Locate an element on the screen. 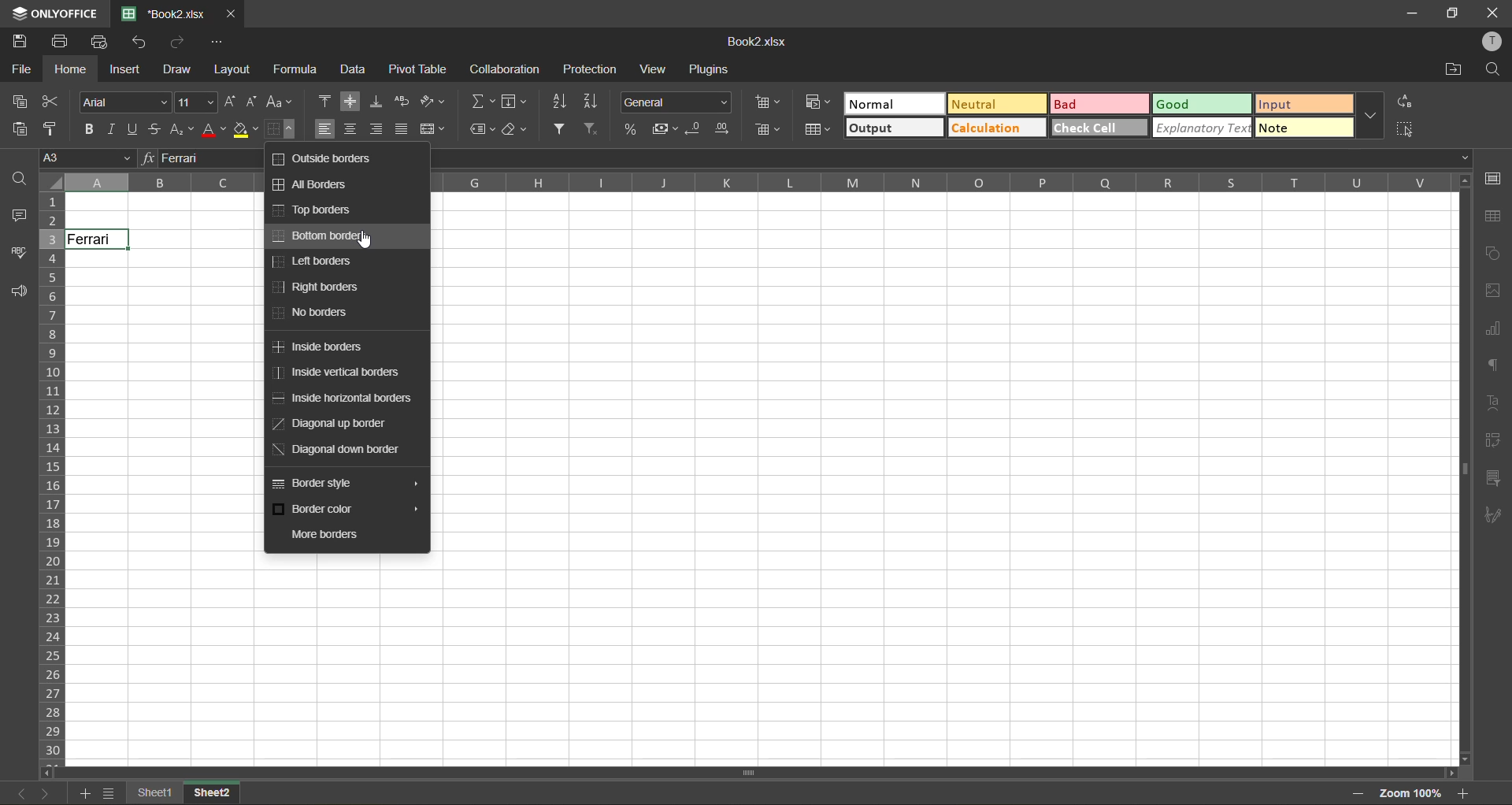 The image size is (1512, 805). Ferrari is located at coordinates (98, 239).